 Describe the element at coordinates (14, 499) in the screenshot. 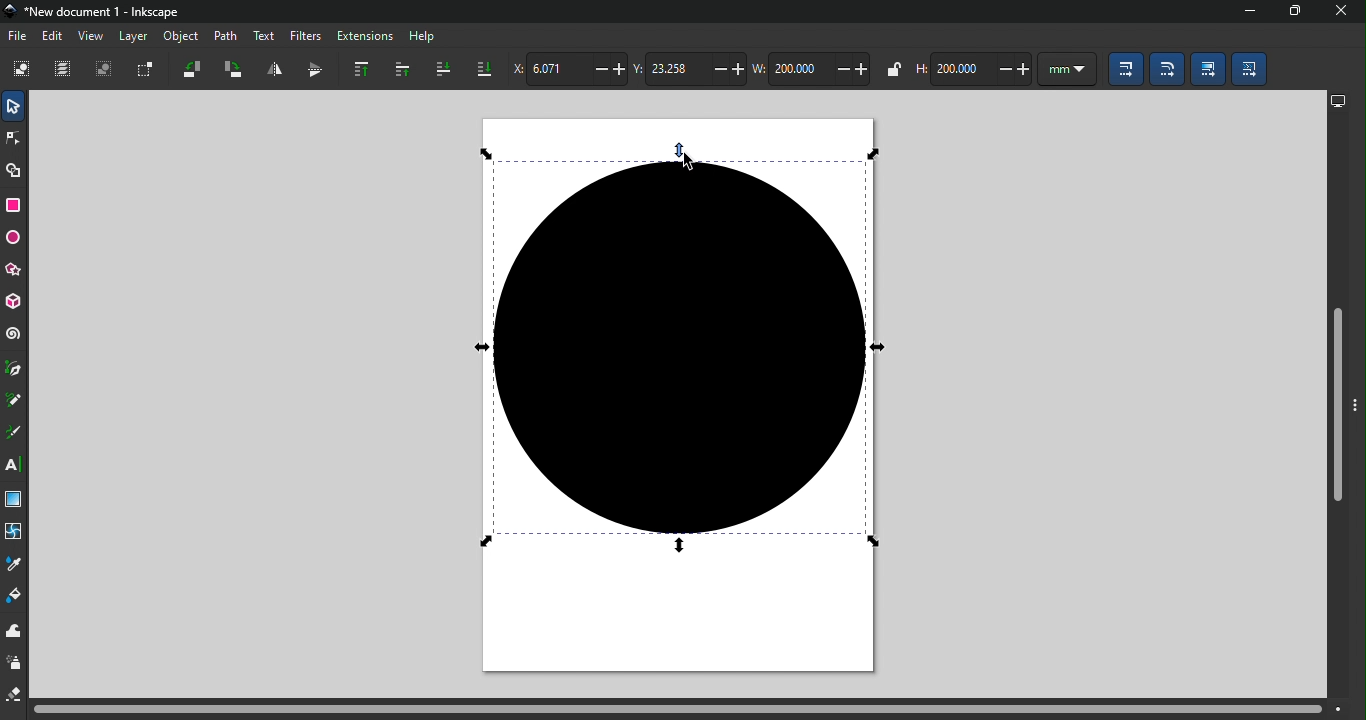

I see `Gradient` at that location.